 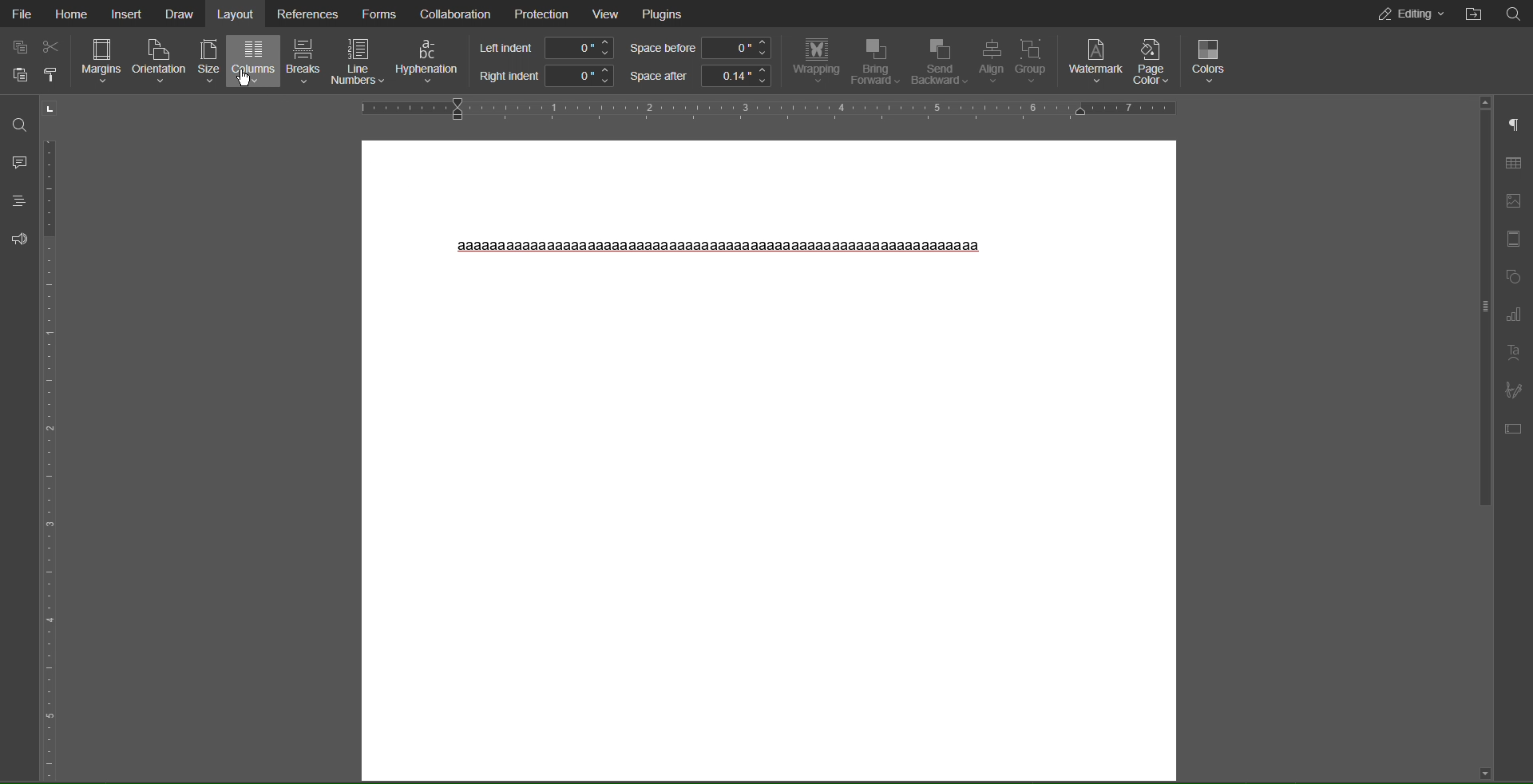 What do you see at coordinates (1403, 14) in the screenshot?
I see `Editing` at bounding box center [1403, 14].